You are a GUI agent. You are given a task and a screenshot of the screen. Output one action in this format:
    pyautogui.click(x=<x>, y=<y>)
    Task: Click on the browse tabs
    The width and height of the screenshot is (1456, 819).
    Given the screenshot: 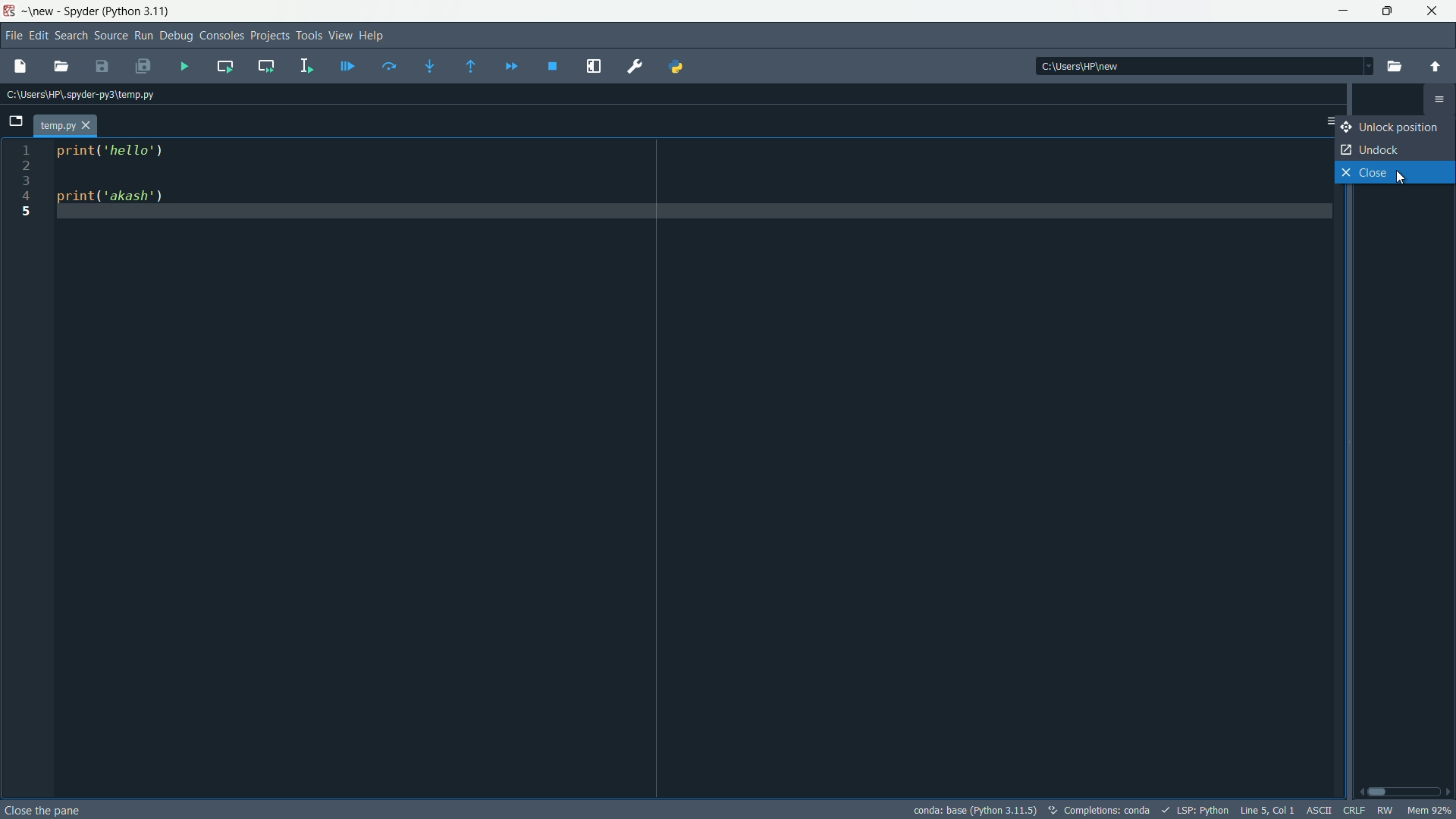 What is the action you would take?
    pyautogui.click(x=15, y=123)
    